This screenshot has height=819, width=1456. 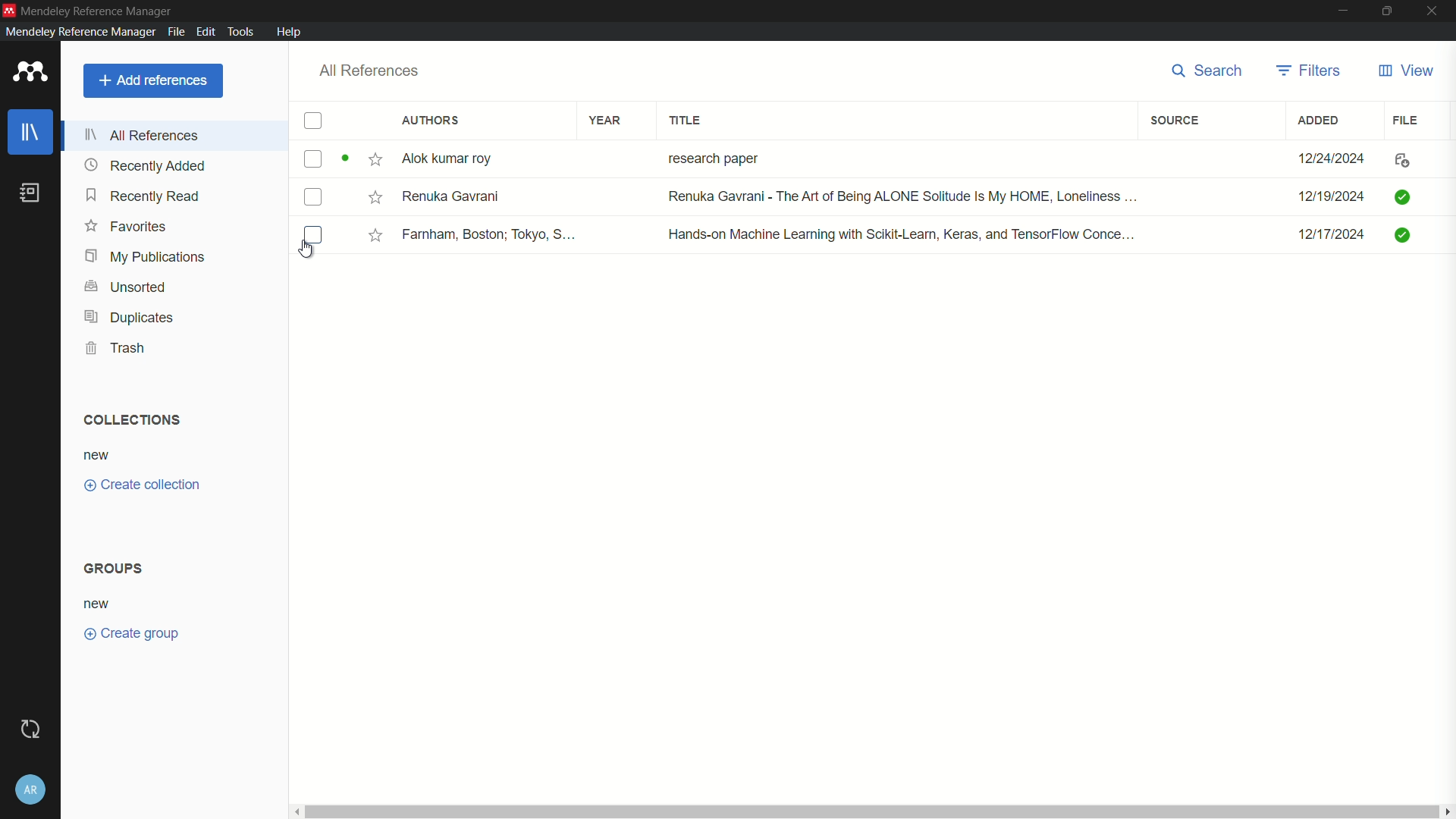 What do you see at coordinates (132, 633) in the screenshot?
I see `create group` at bounding box center [132, 633].